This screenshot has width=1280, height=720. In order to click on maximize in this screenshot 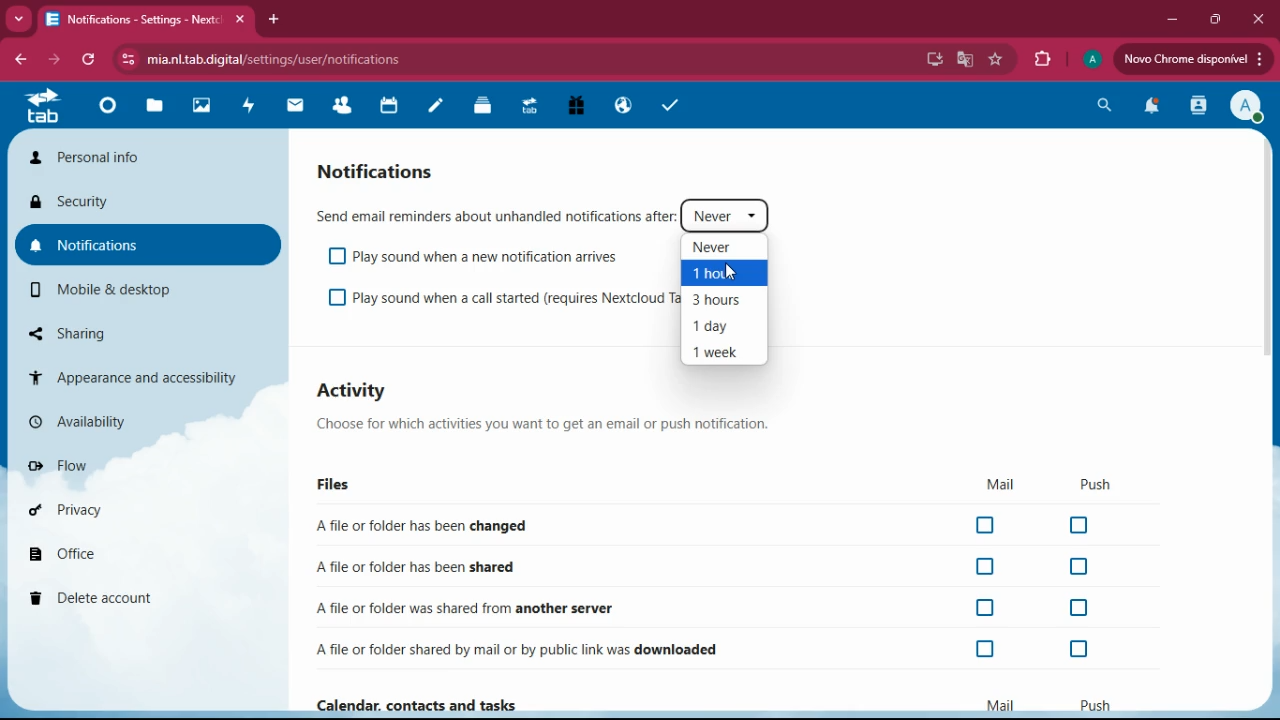, I will do `click(1214, 20)`.